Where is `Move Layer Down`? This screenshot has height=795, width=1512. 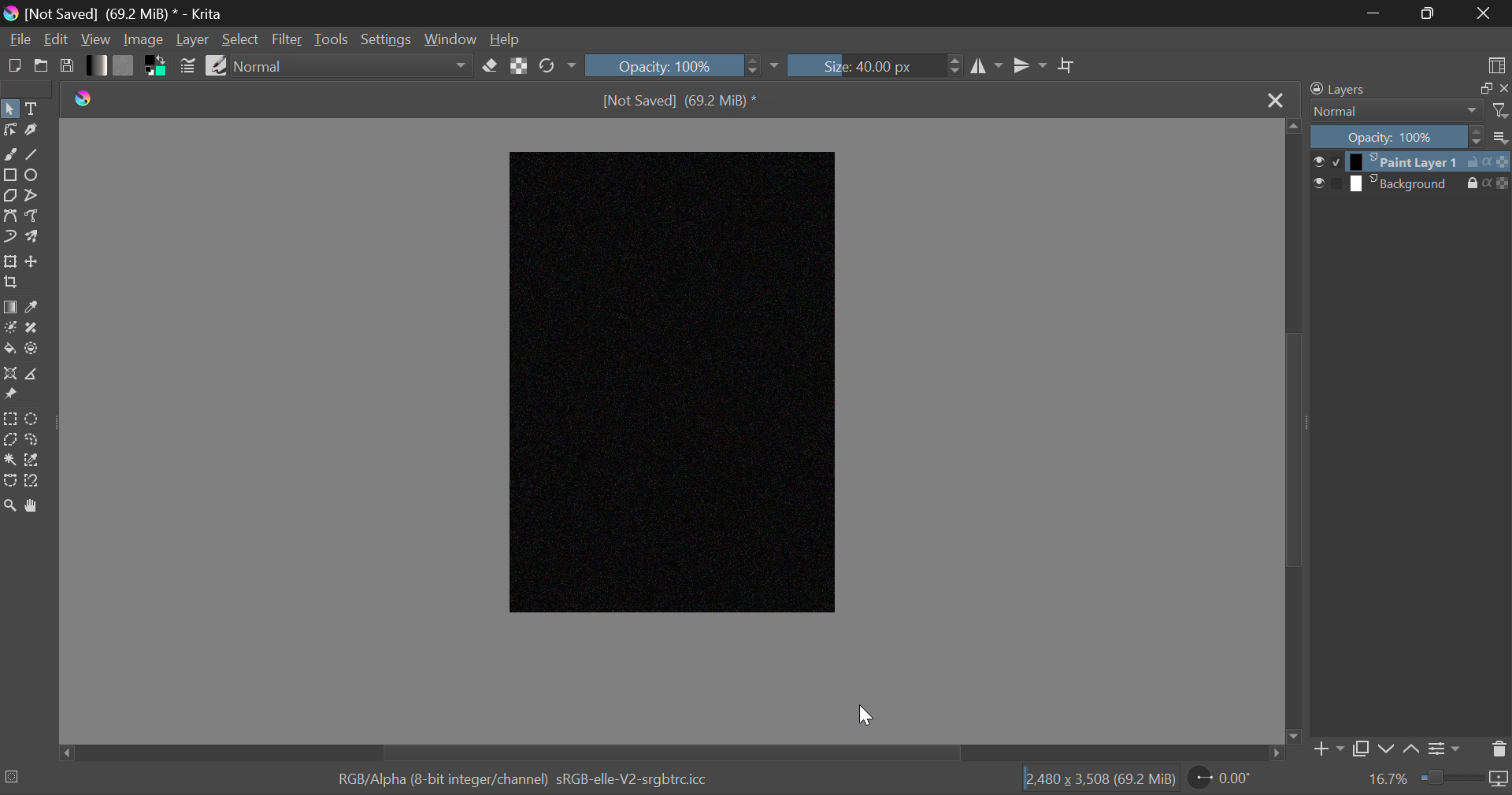
Move Layer Down is located at coordinates (1388, 747).